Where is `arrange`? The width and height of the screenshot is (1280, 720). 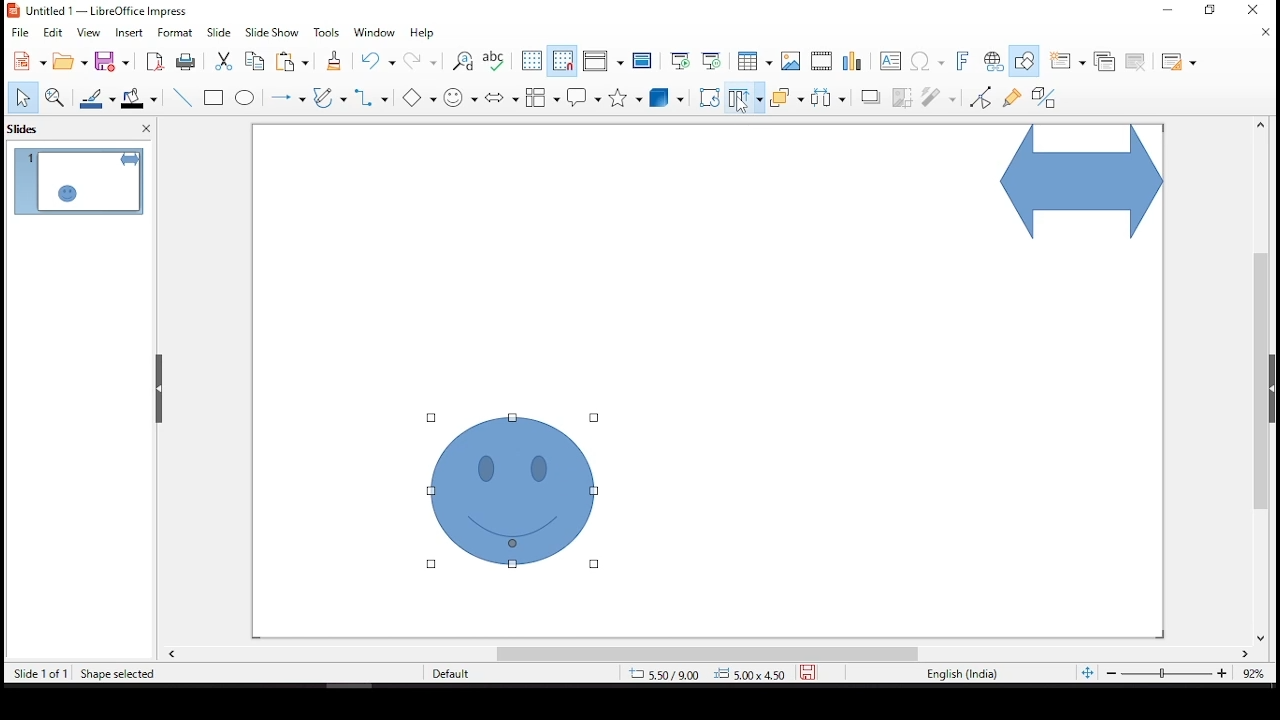 arrange is located at coordinates (786, 99).